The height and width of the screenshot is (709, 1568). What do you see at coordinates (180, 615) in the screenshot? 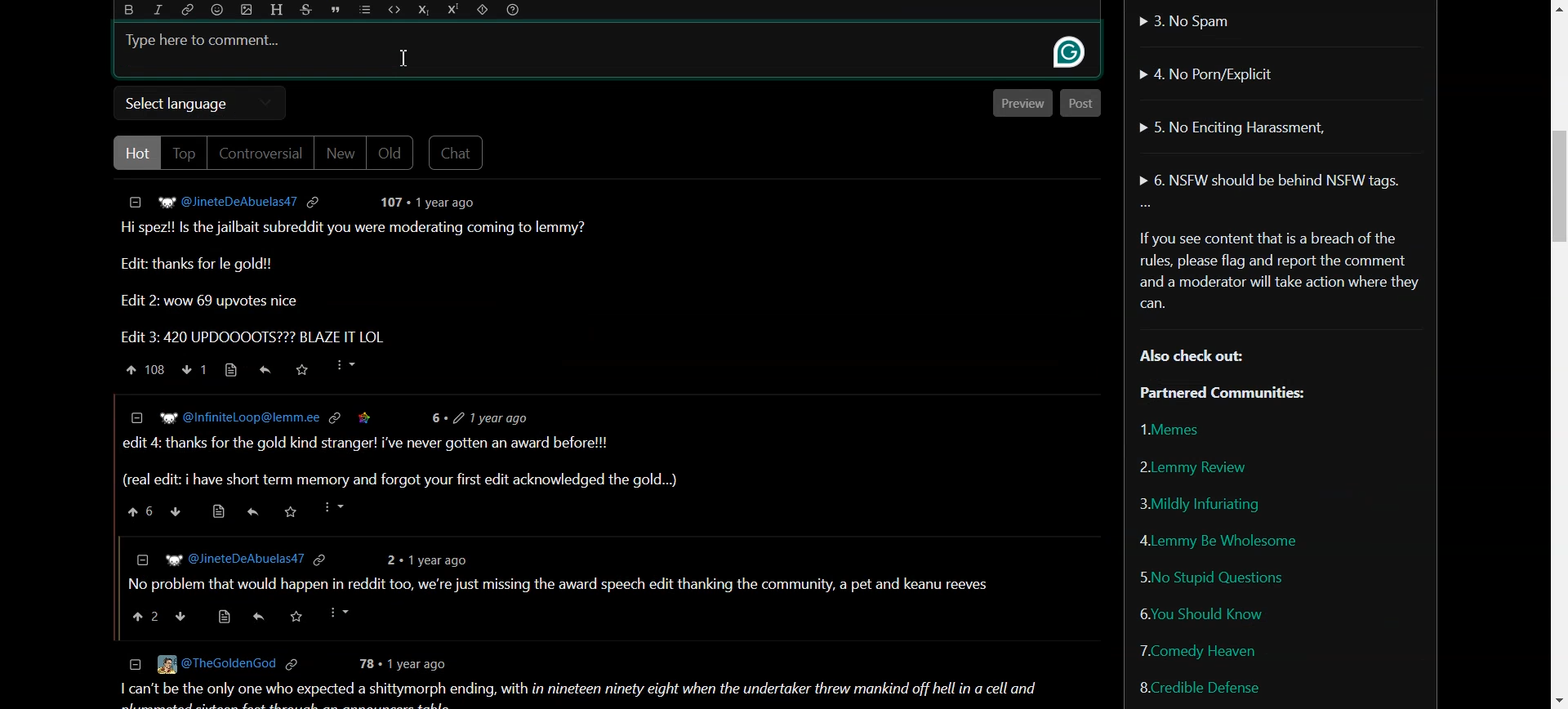
I see `downvote` at bounding box center [180, 615].